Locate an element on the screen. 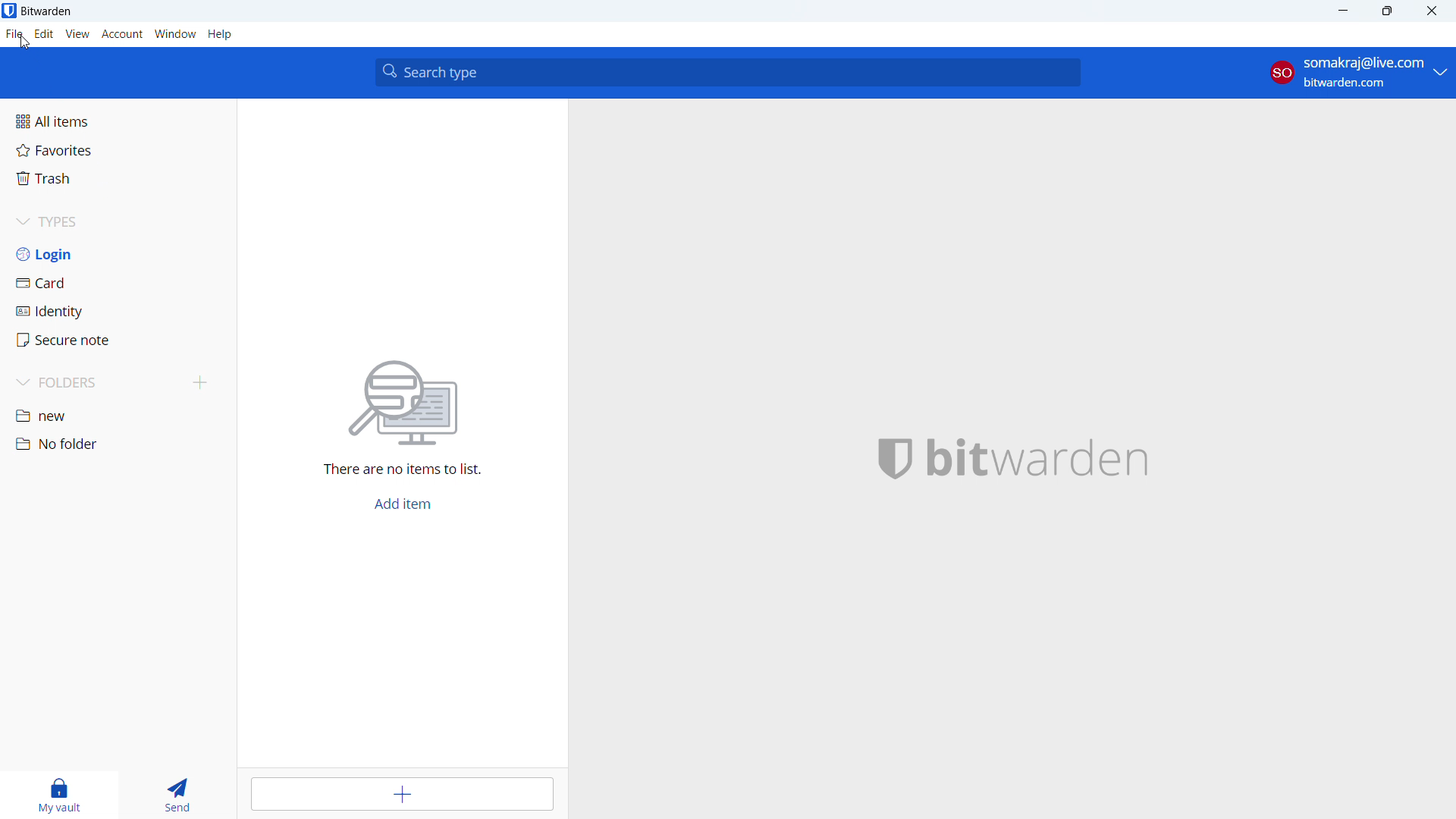  close is located at coordinates (1432, 11).